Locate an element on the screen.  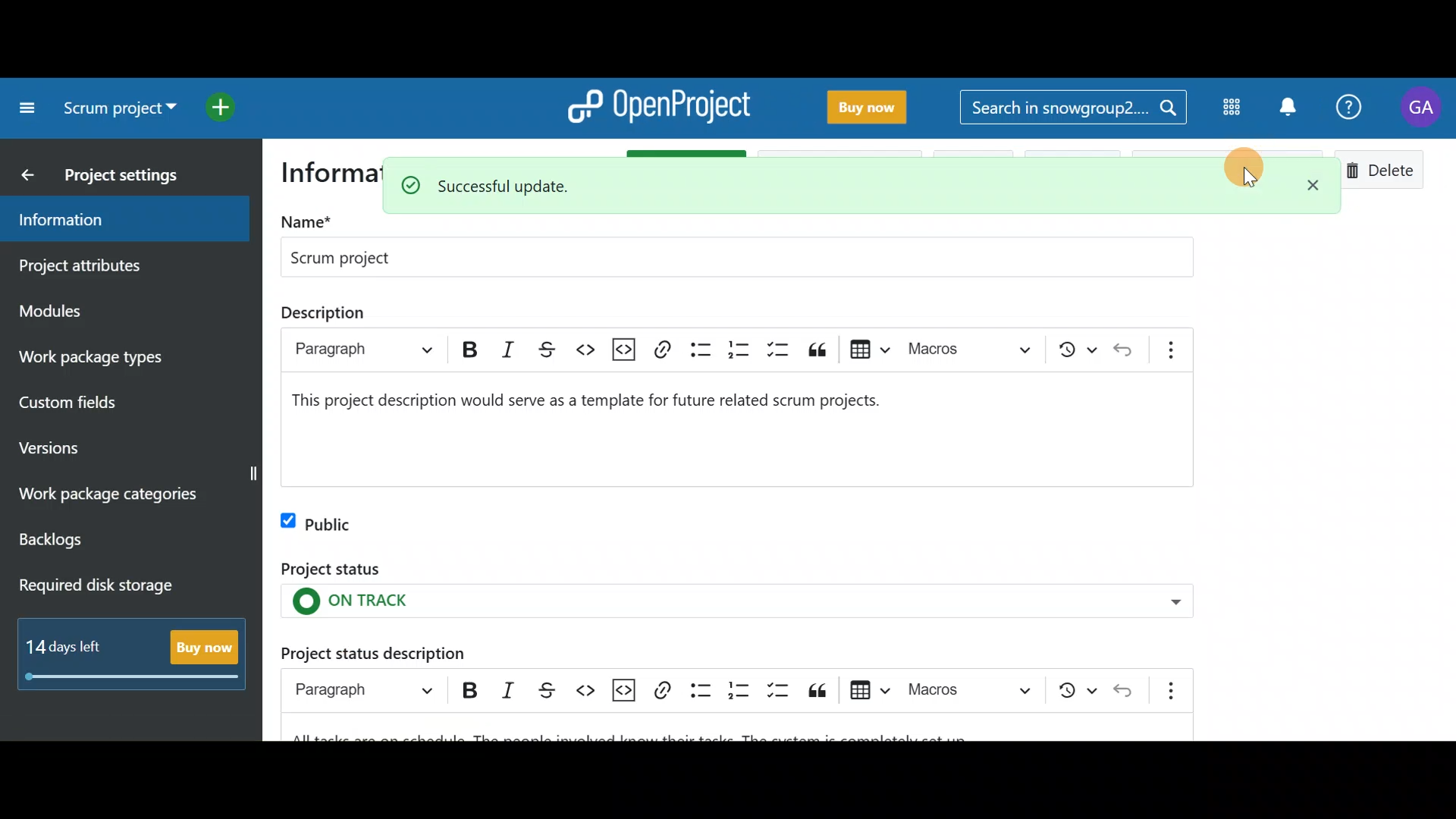
Project status is located at coordinates (732, 592).